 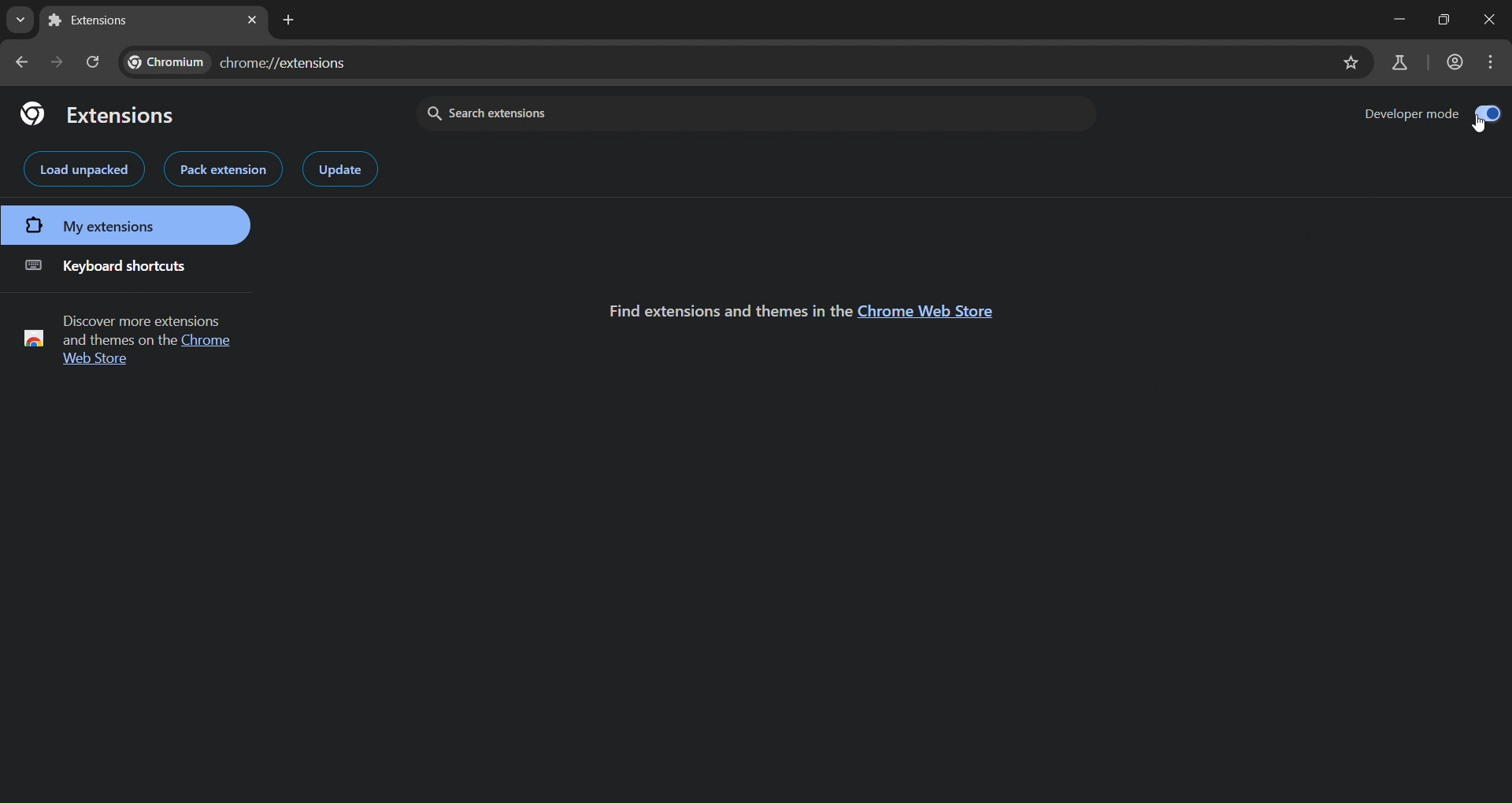 What do you see at coordinates (1351, 62) in the screenshot?
I see `bookmark page` at bounding box center [1351, 62].